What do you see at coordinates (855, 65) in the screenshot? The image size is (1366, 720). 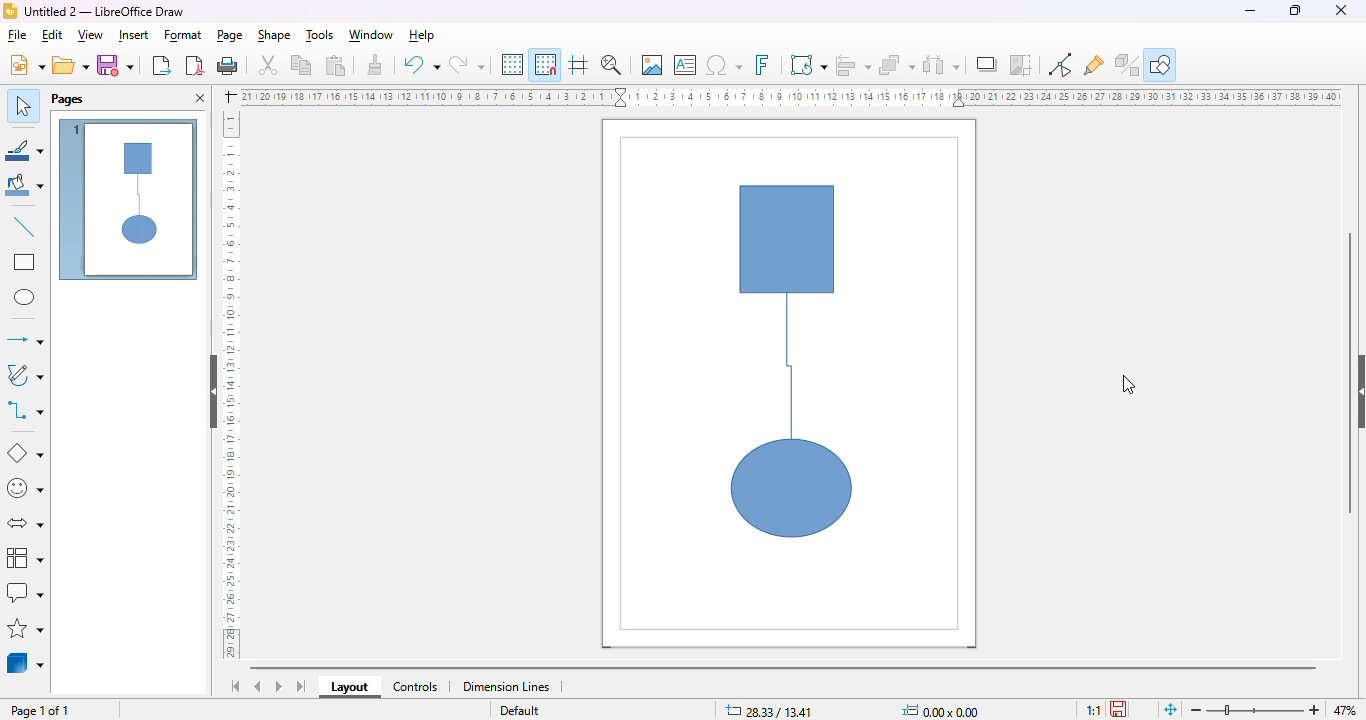 I see `align objects` at bounding box center [855, 65].